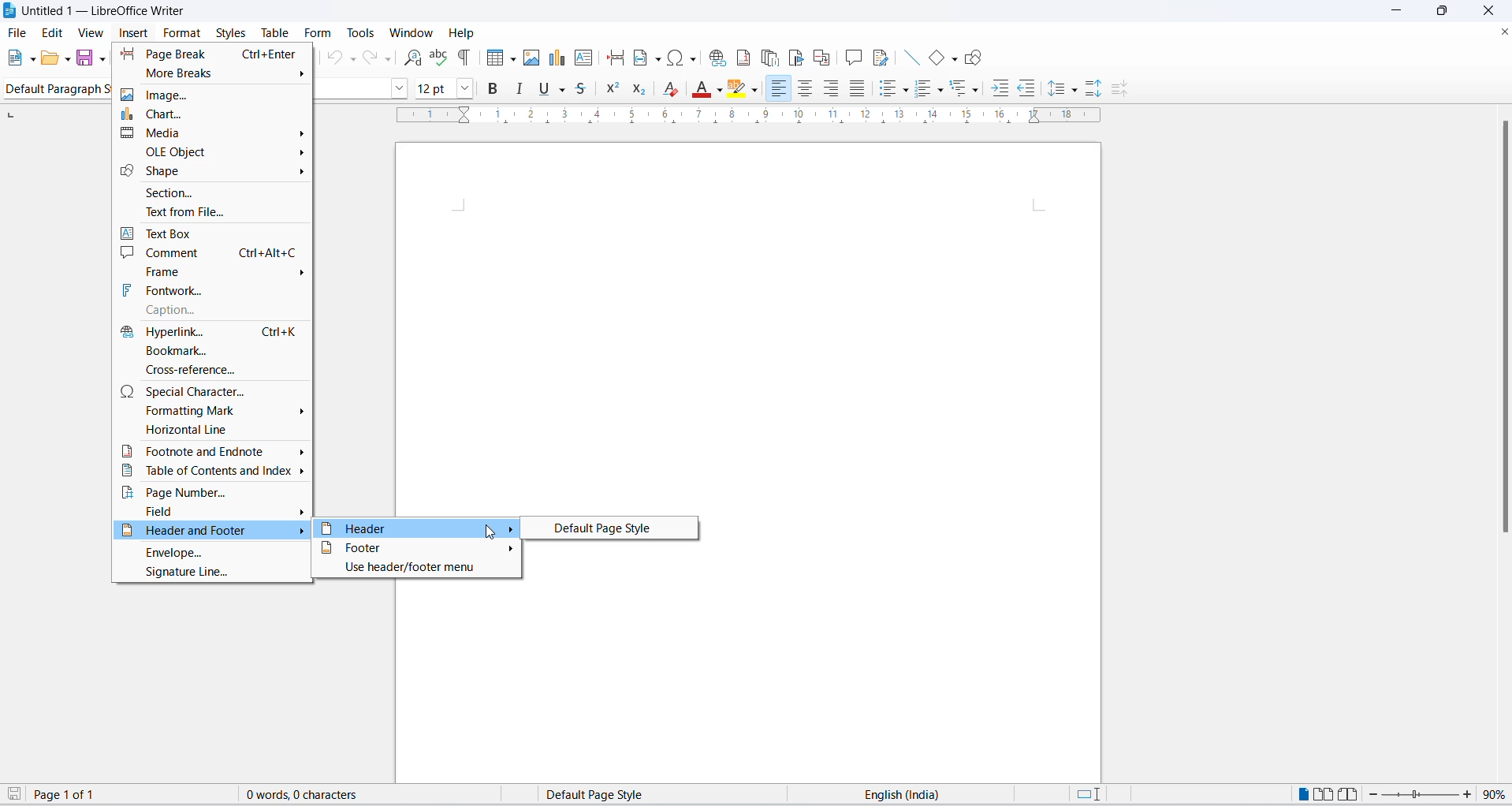 This screenshot has height=806, width=1512. What do you see at coordinates (470, 88) in the screenshot?
I see `font size options` at bounding box center [470, 88].